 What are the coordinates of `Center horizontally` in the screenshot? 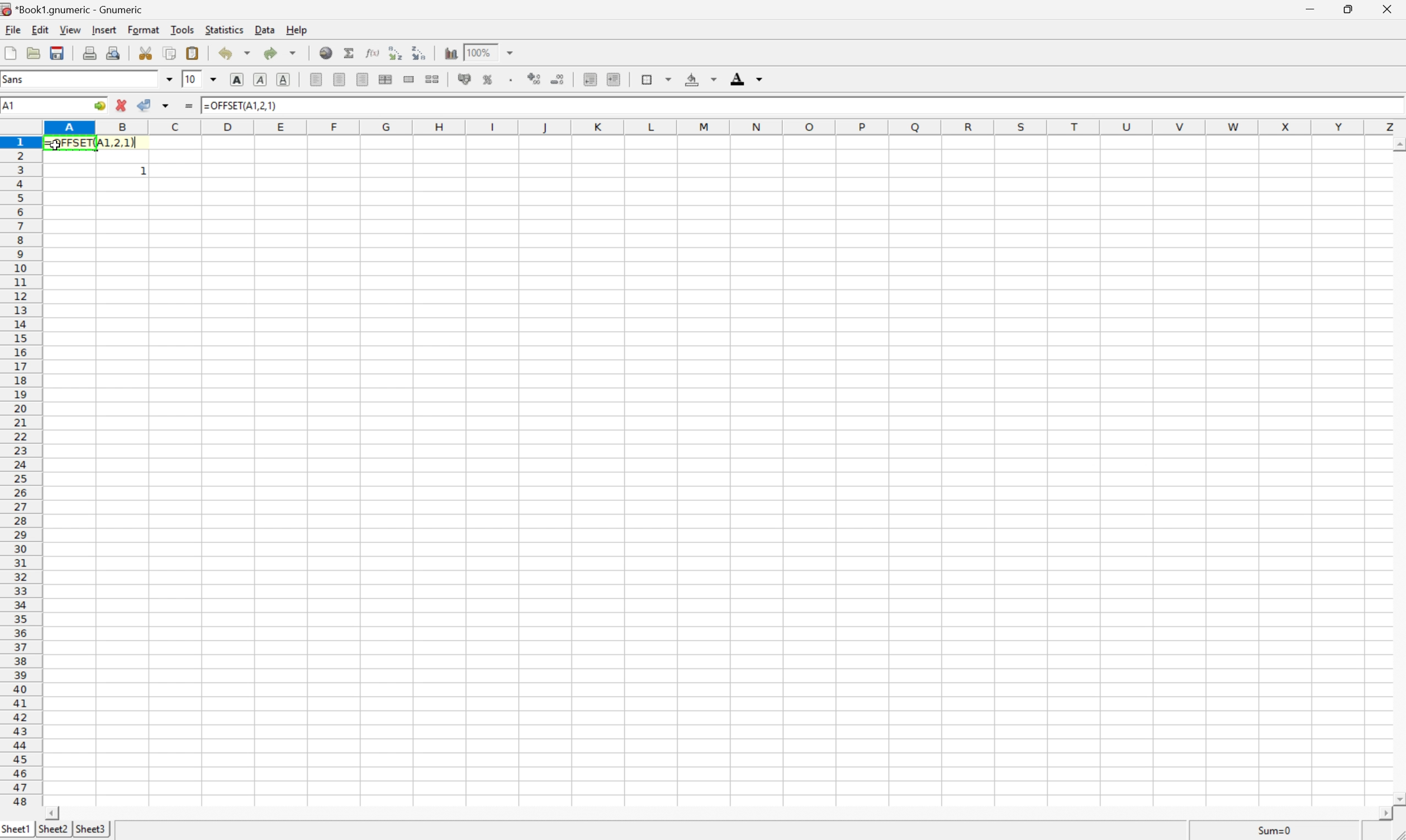 It's located at (338, 79).